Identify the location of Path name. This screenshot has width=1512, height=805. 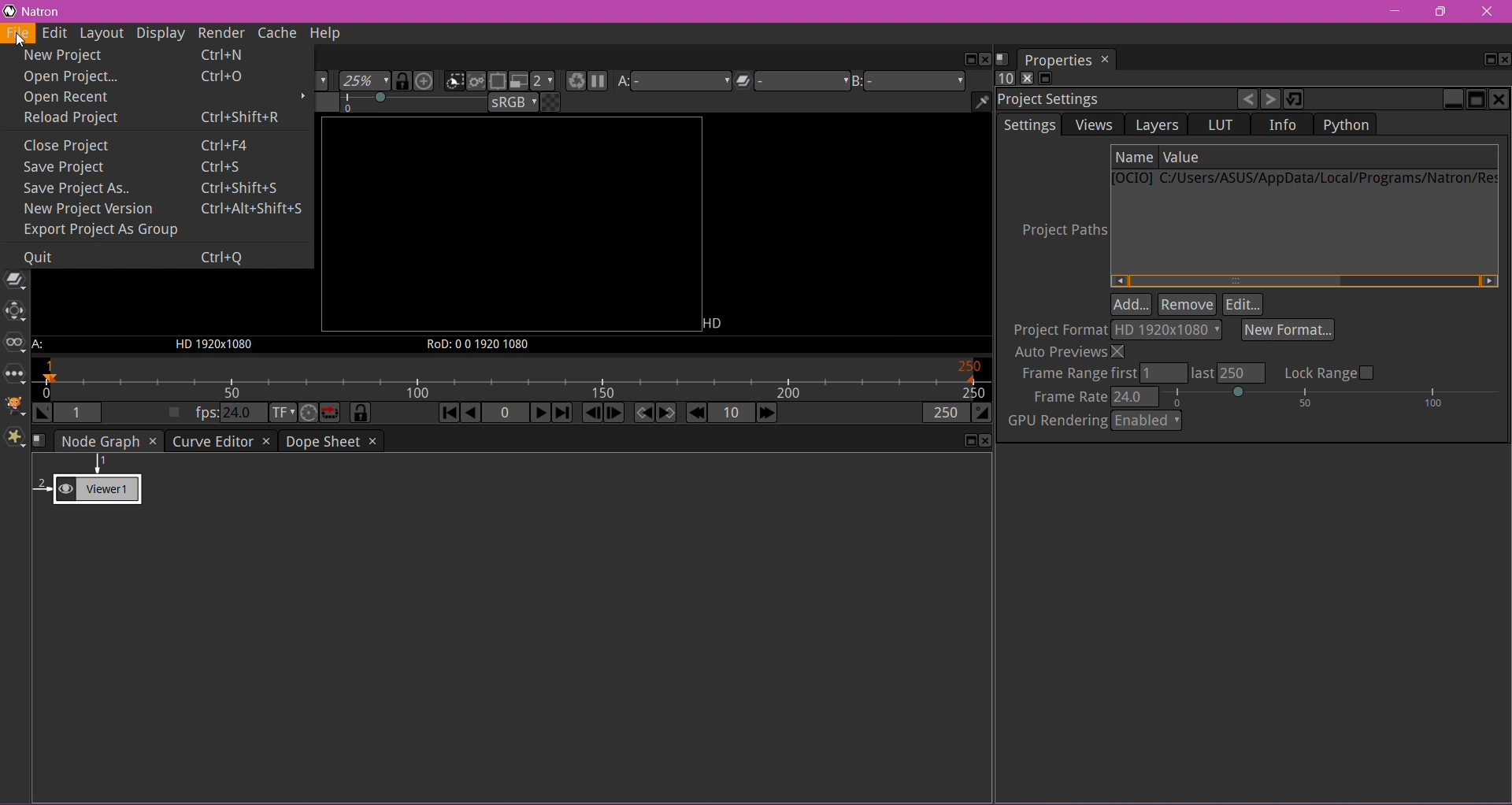
(1305, 181).